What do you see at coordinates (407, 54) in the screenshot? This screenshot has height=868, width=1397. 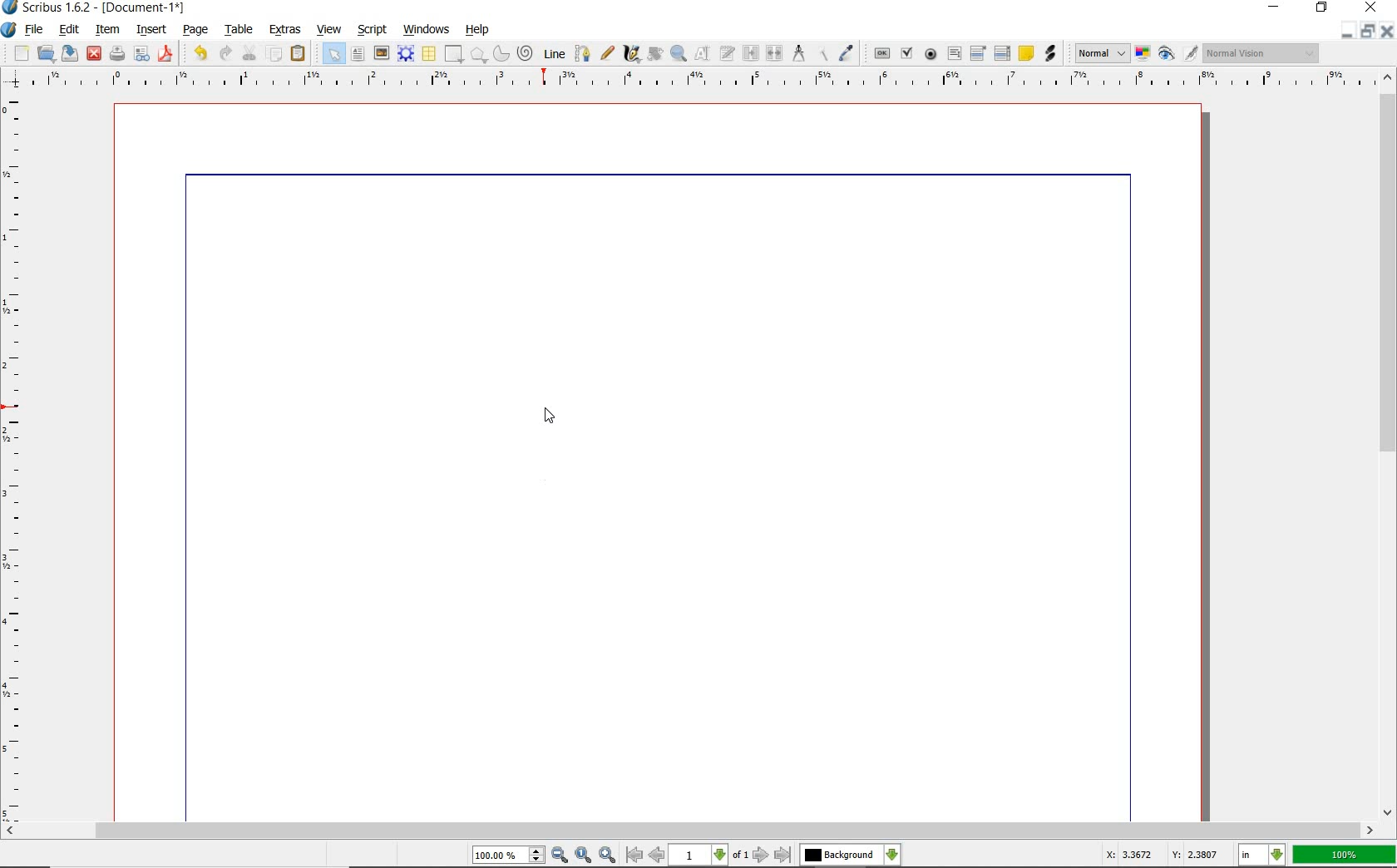 I see `render frame` at bounding box center [407, 54].